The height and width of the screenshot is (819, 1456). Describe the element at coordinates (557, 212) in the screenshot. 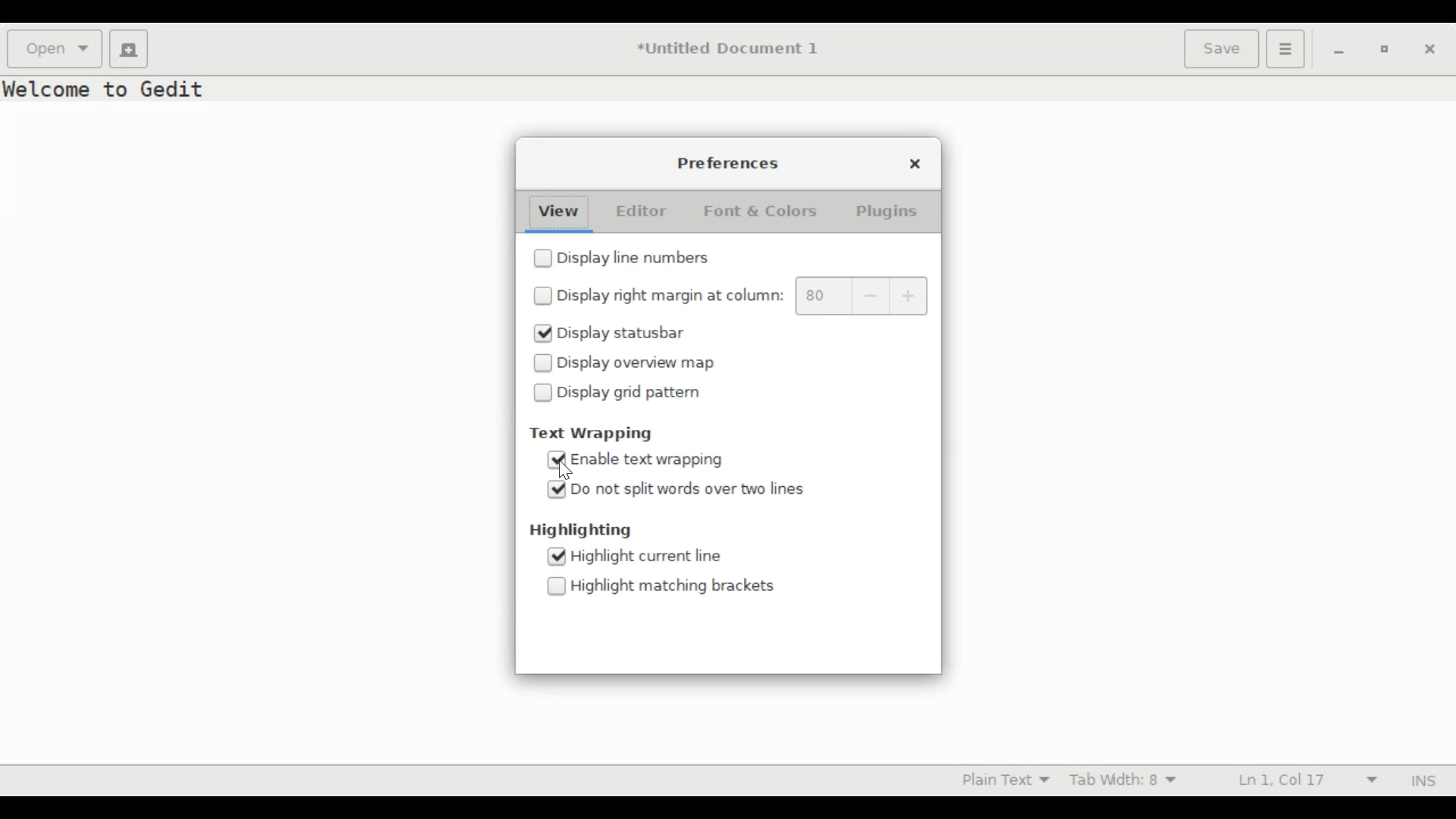

I see `View` at that location.